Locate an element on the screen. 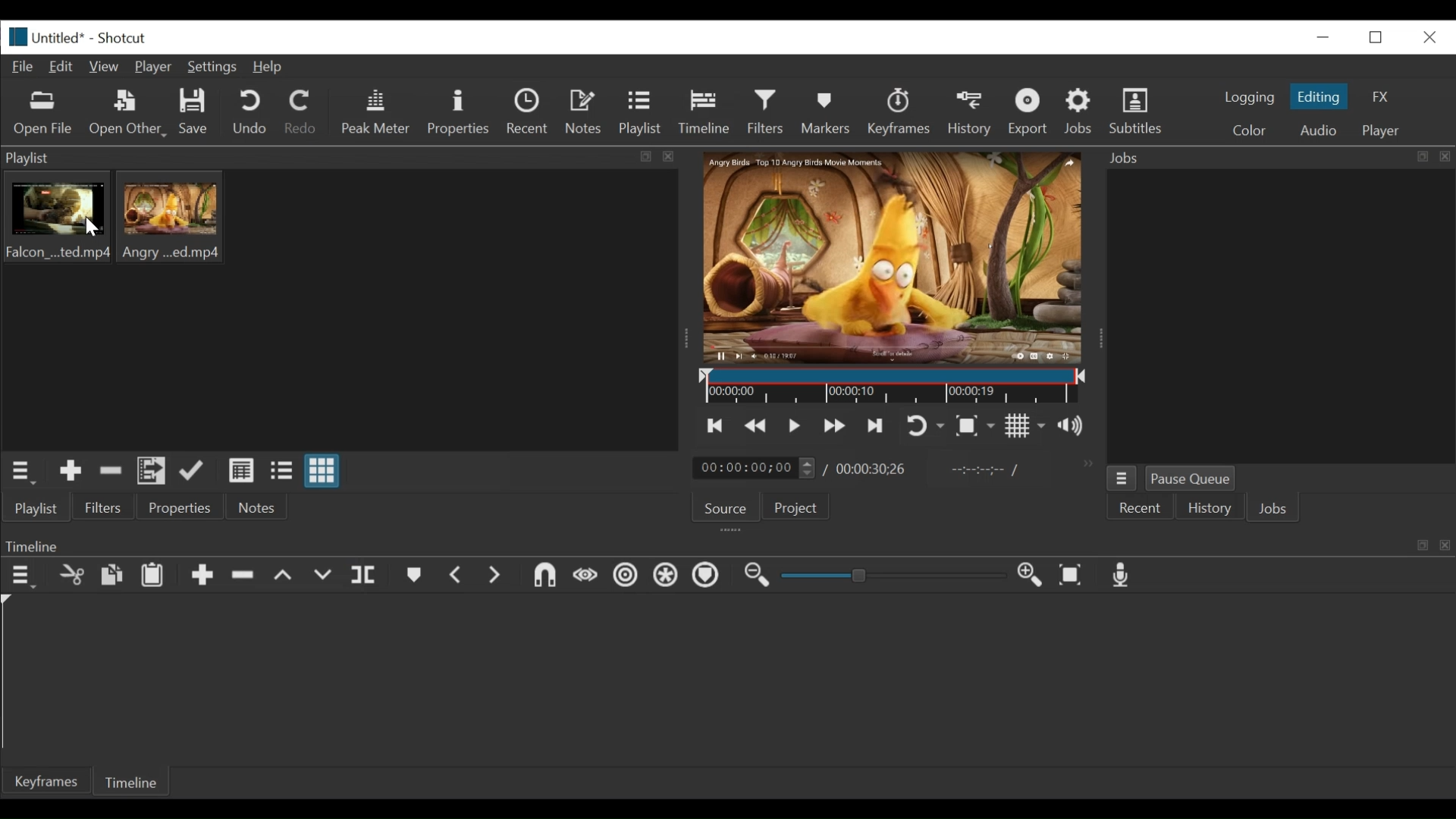 This screenshot has width=1456, height=819. copy is located at coordinates (113, 577).